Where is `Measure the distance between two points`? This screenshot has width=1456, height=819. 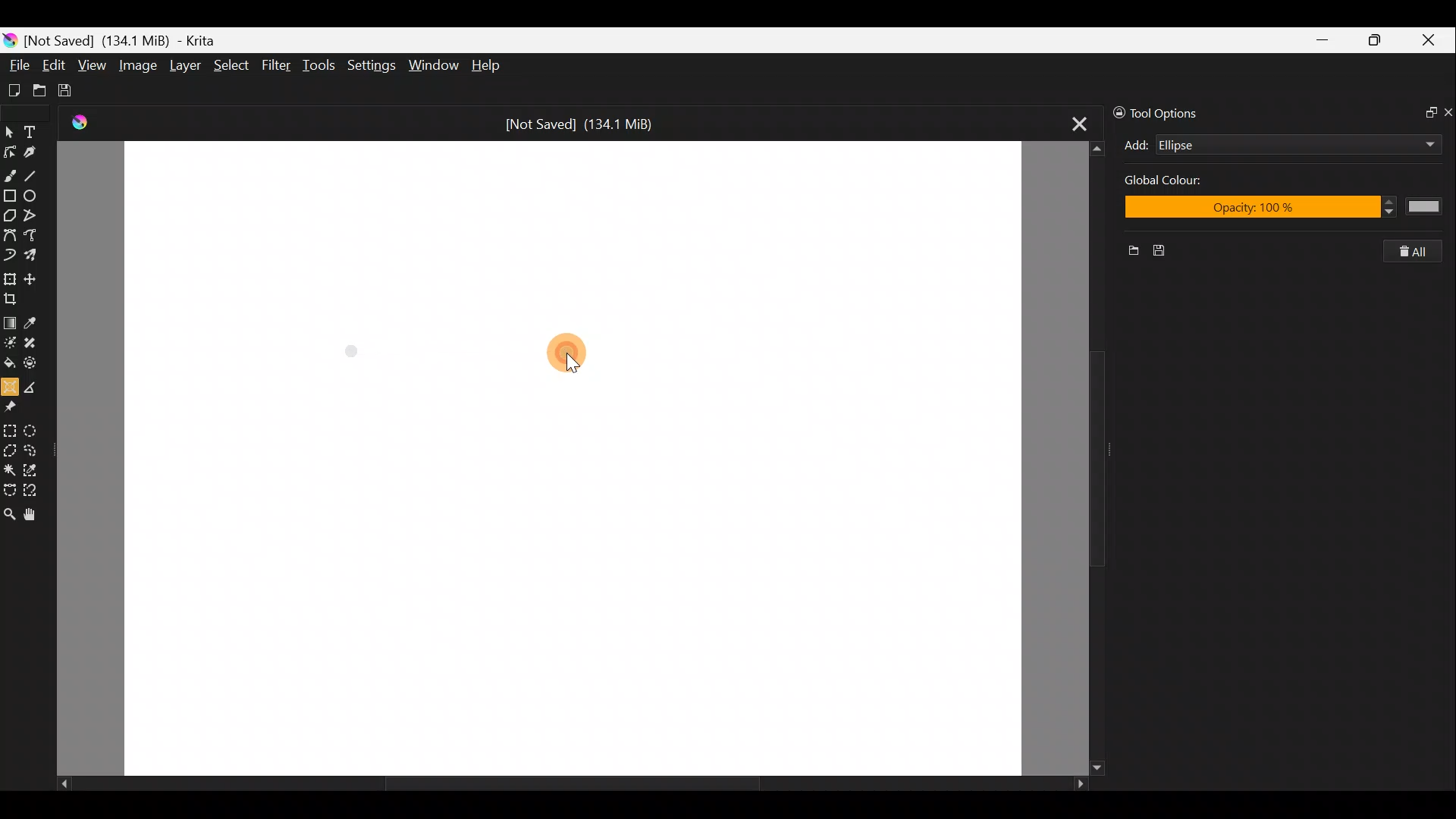 Measure the distance between two points is located at coordinates (36, 386).